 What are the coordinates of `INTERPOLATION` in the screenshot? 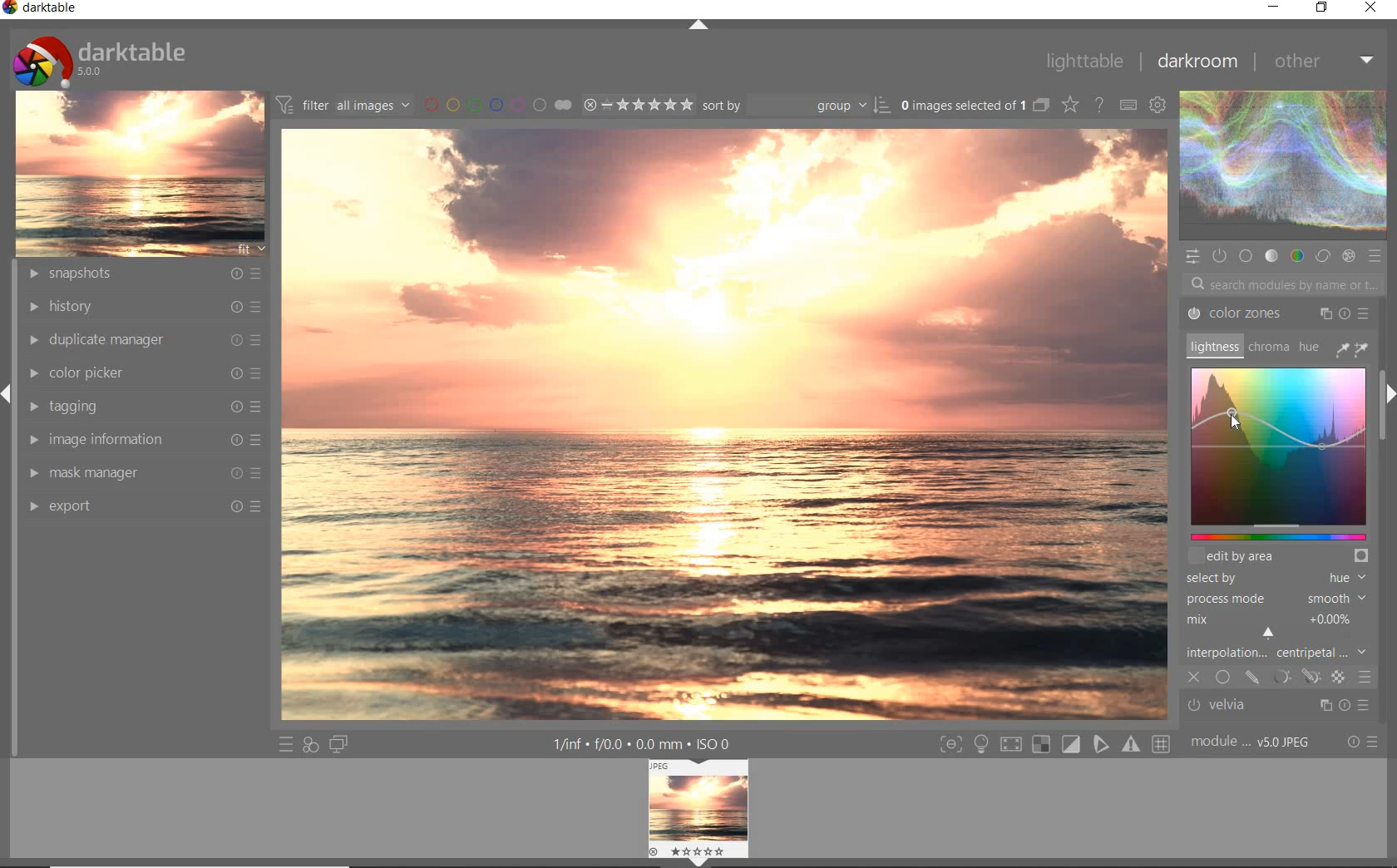 It's located at (1281, 635).